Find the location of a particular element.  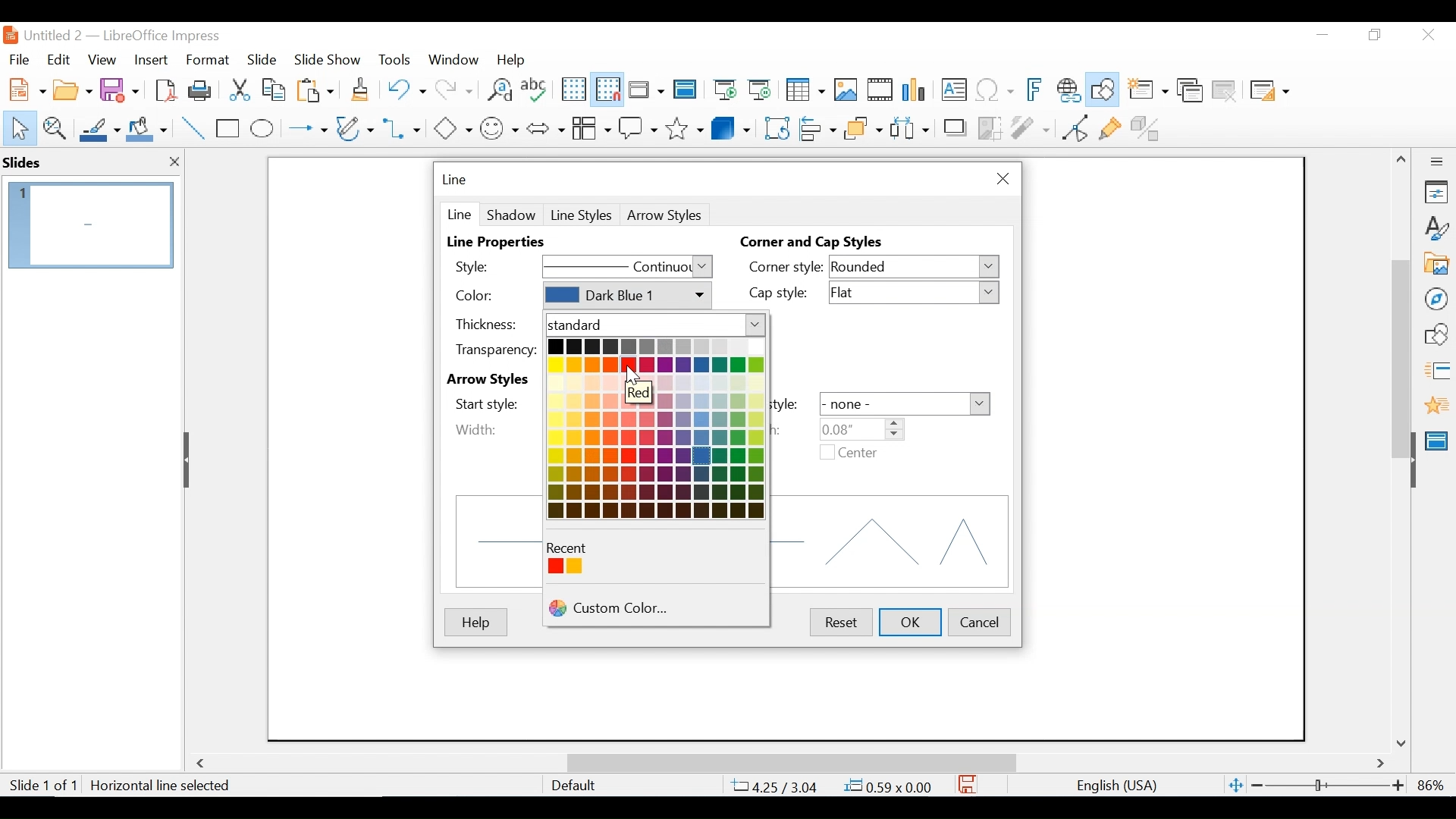

Corner and Cap Styles is located at coordinates (815, 243).